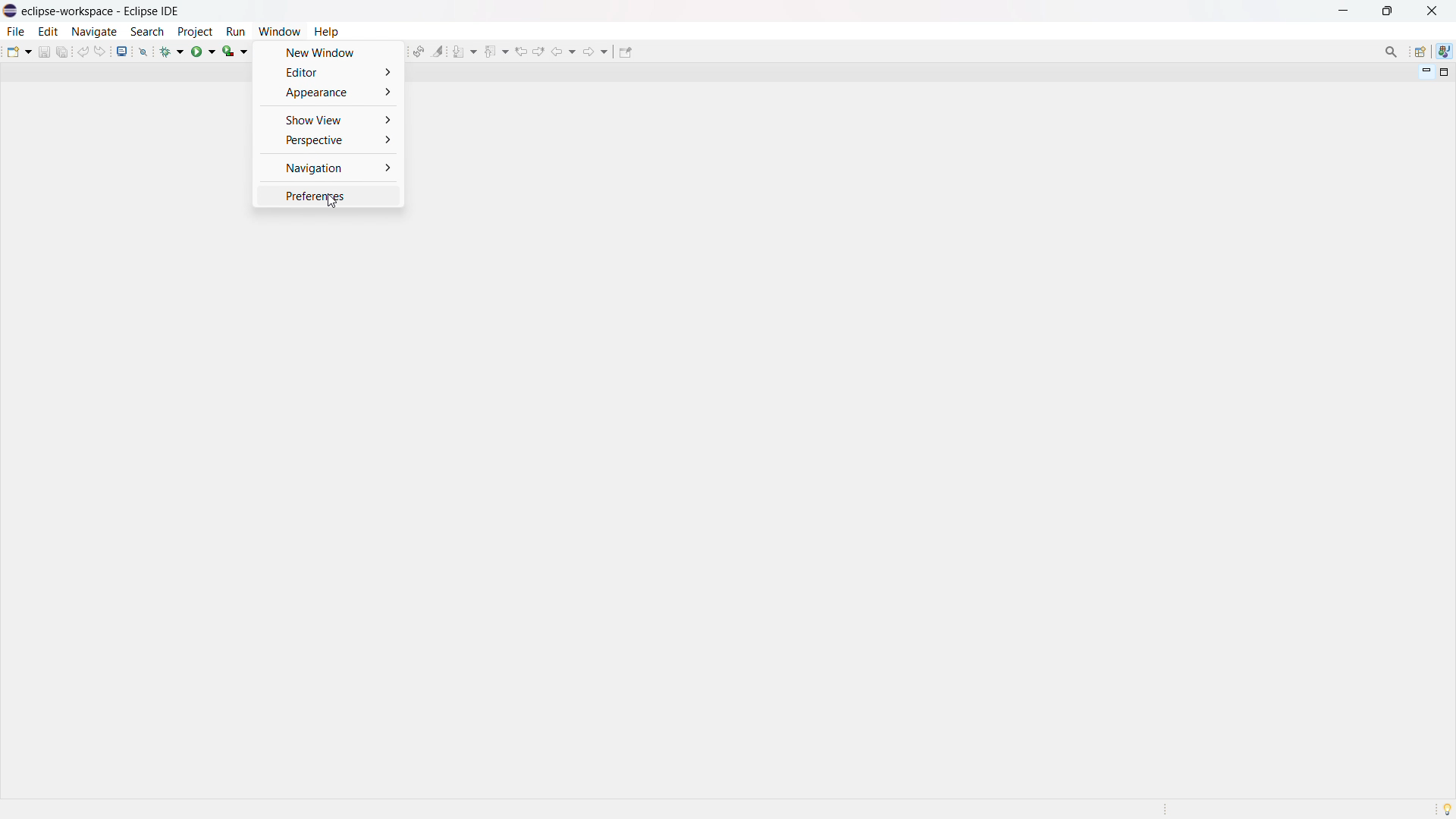 This screenshot has width=1456, height=819. What do you see at coordinates (326, 30) in the screenshot?
I see `help` at bounding box center [326, 30].